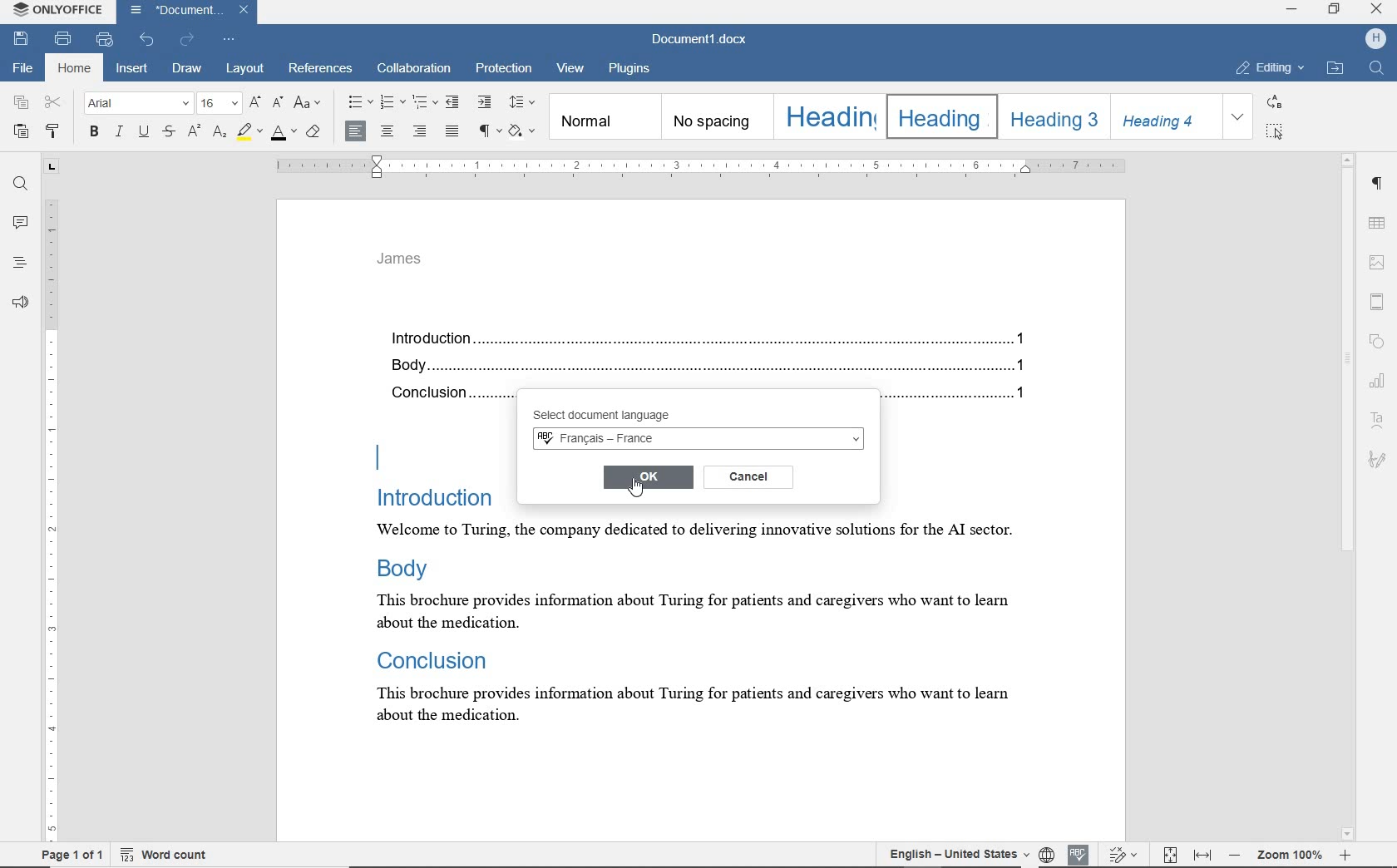  What do you see at coordinates (1375, 39) in the screenshot?
I see `HP` at bounding box center [1375, 39].